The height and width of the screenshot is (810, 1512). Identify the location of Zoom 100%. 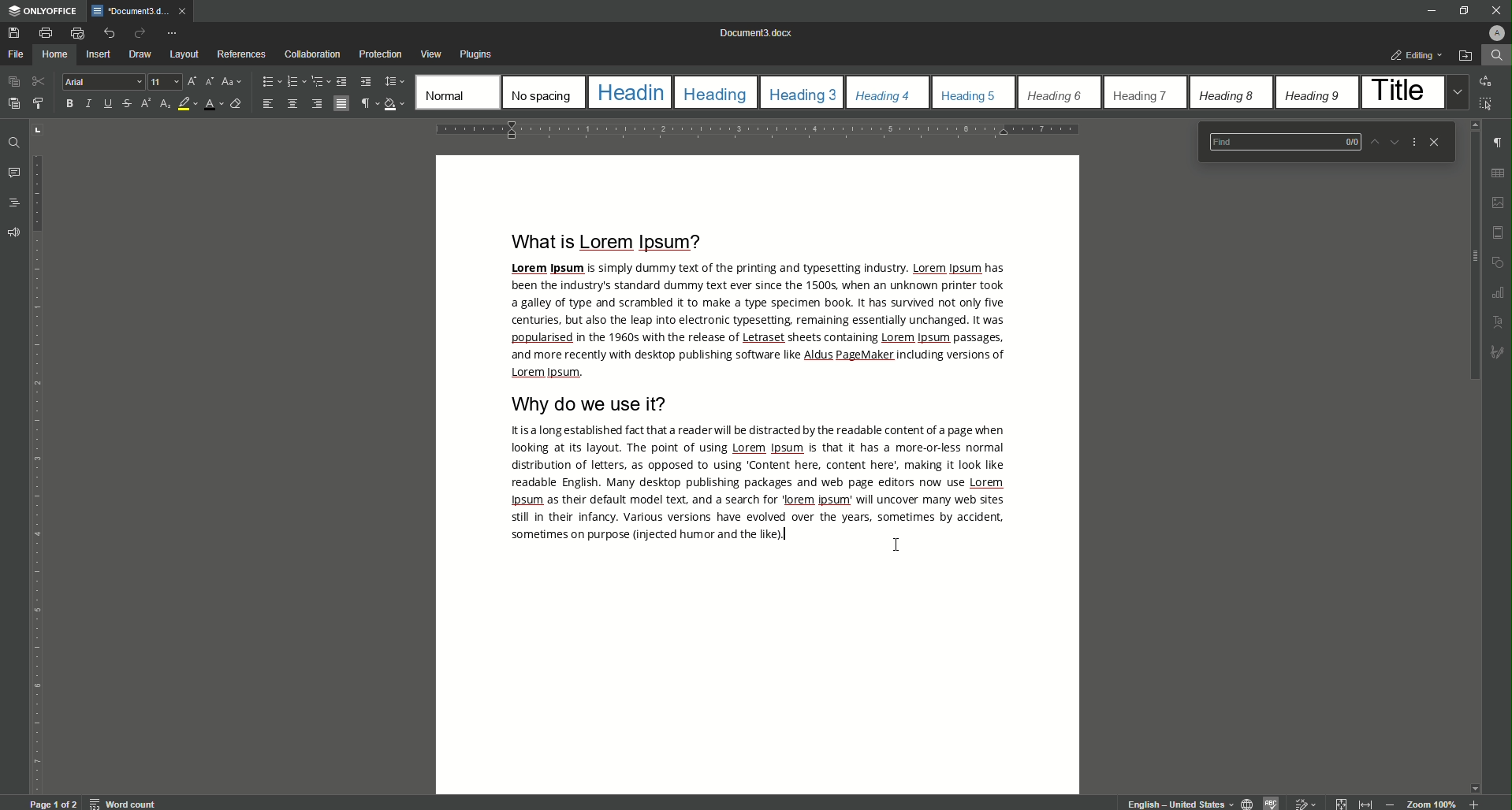
(1431, 804).